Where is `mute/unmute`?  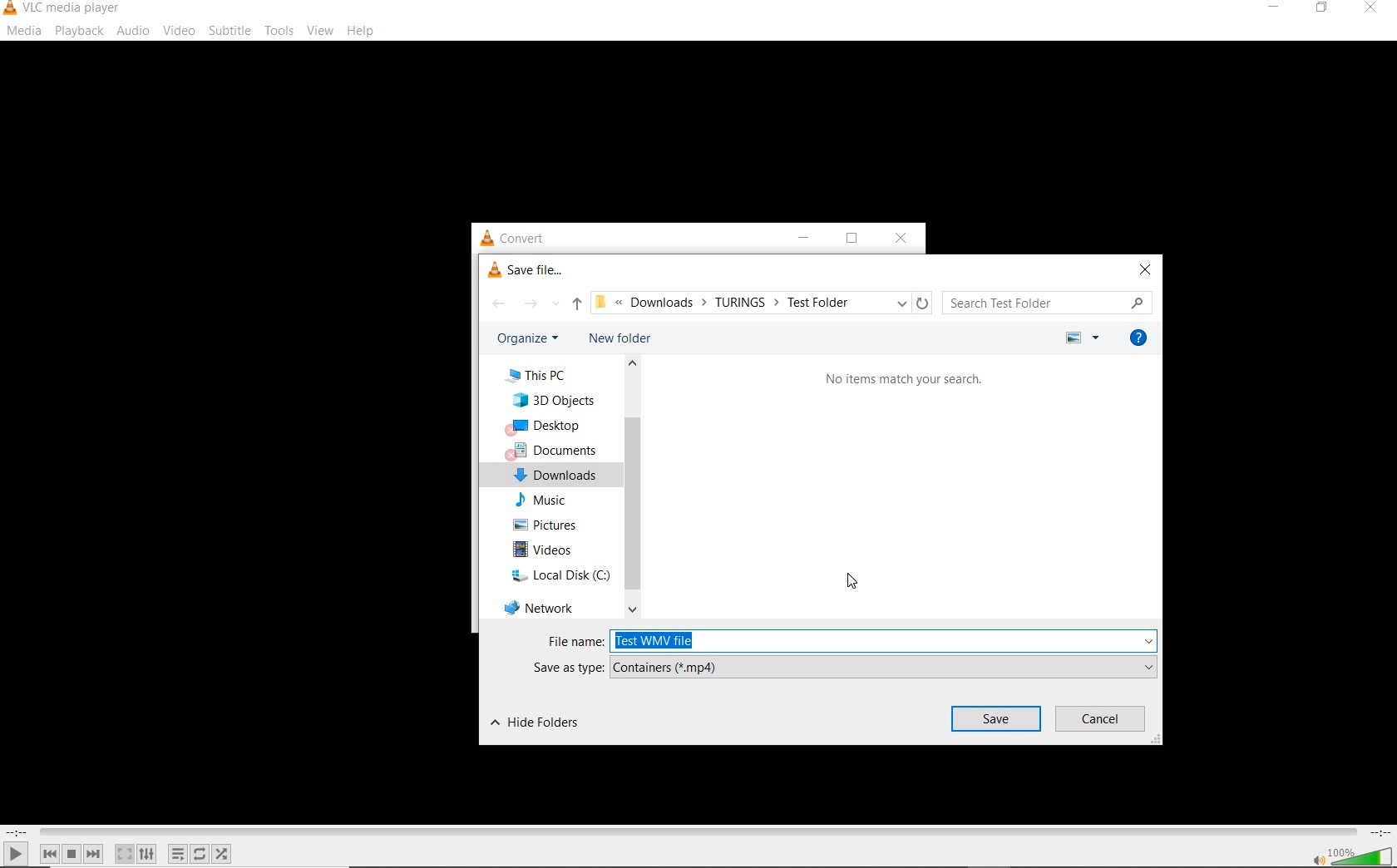 mute/unmute is located at coordinates (1317, 859).